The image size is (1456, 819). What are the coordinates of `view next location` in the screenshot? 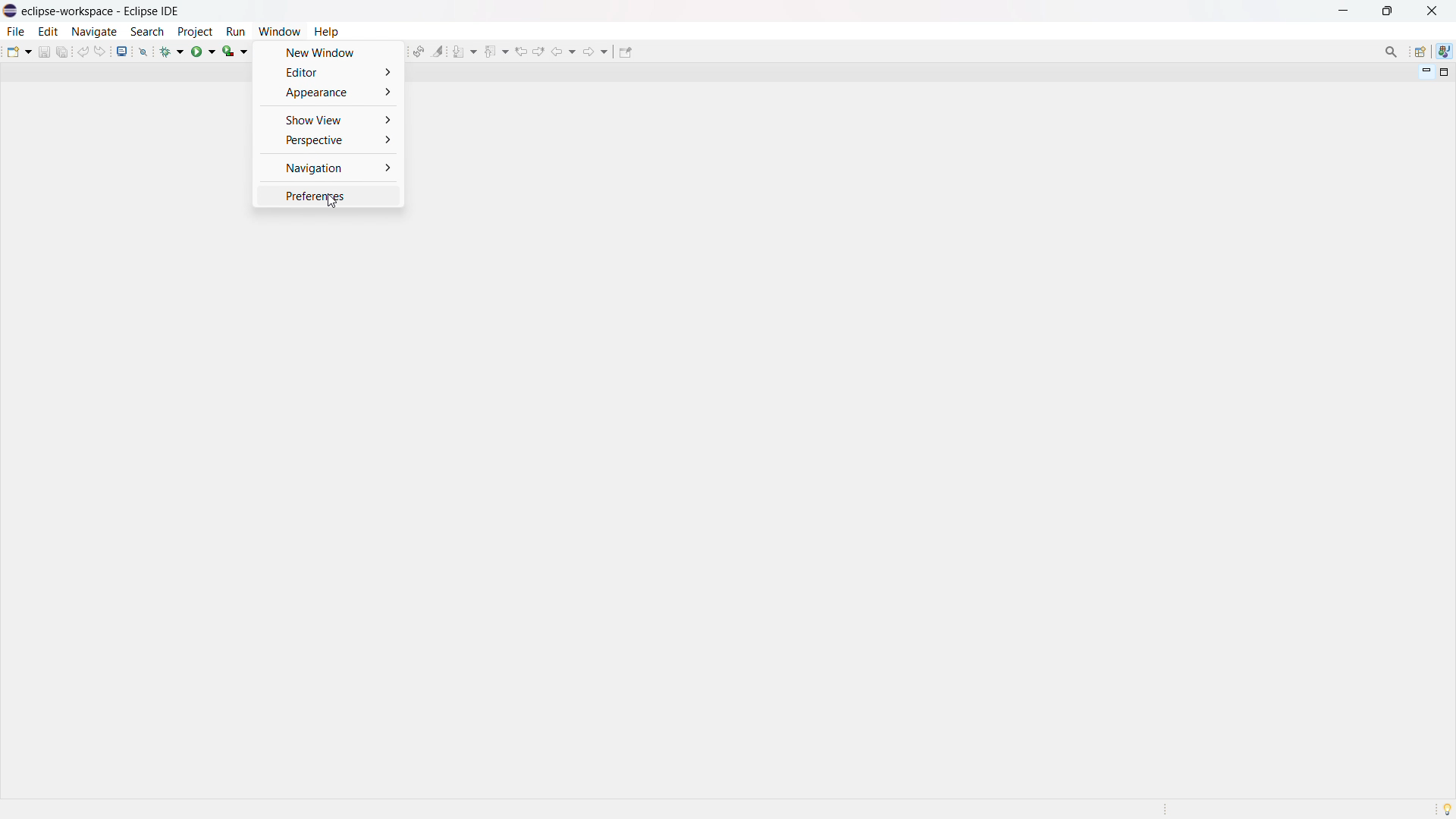 It's located at (538, 50).